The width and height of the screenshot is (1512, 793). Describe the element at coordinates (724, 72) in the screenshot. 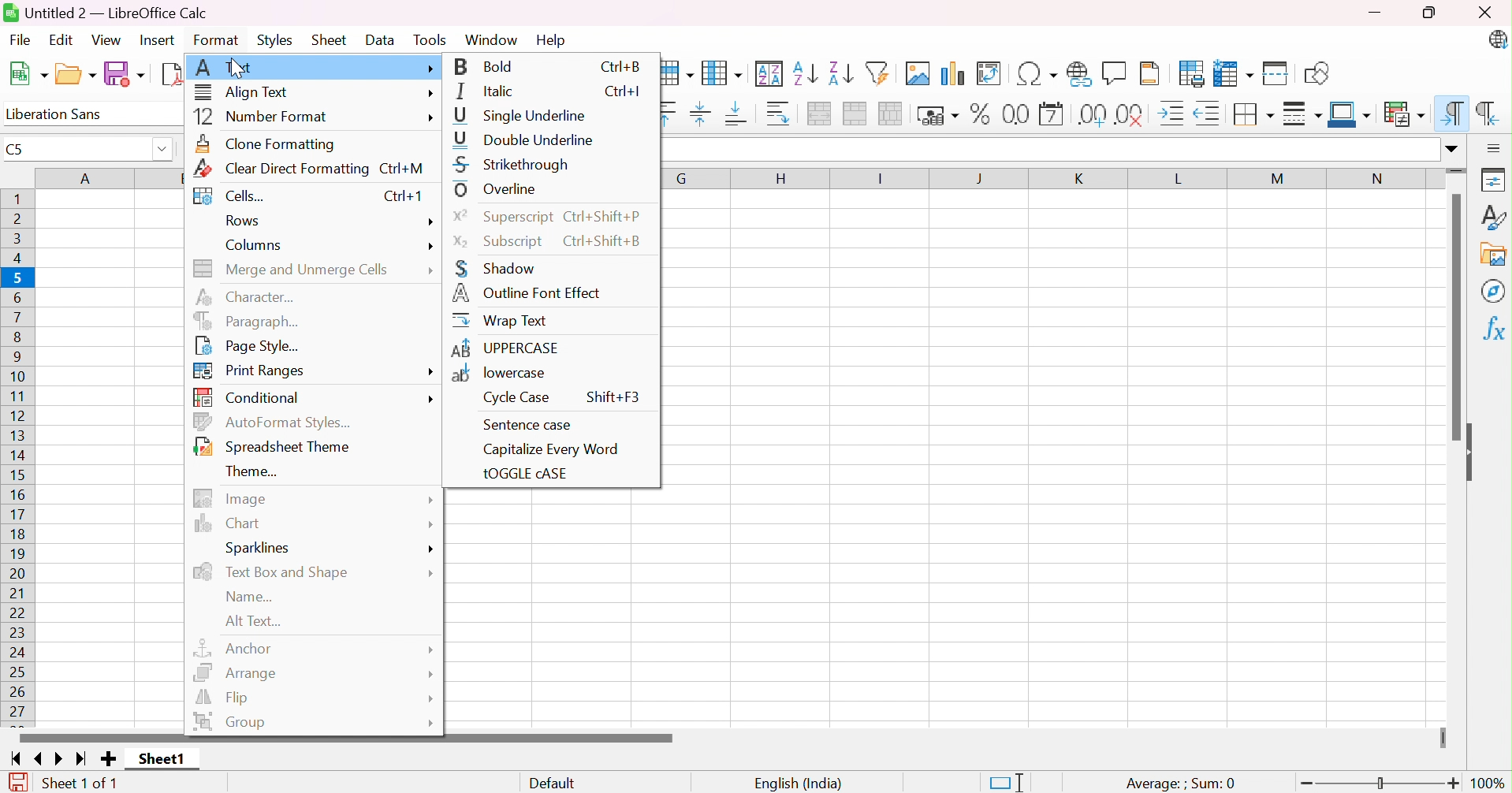

I see `Column` at that location.